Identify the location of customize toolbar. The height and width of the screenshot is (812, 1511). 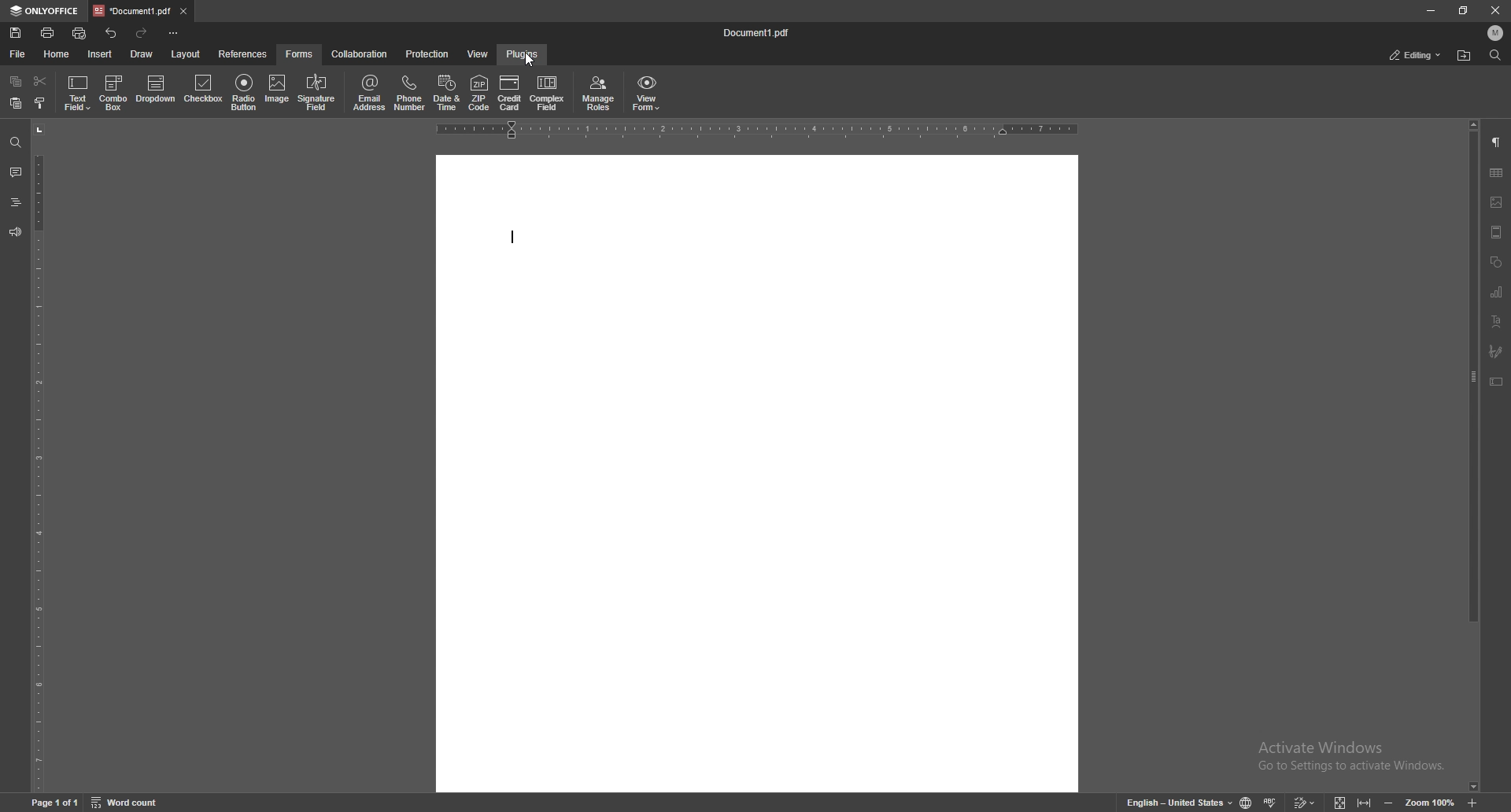
(173, 34).